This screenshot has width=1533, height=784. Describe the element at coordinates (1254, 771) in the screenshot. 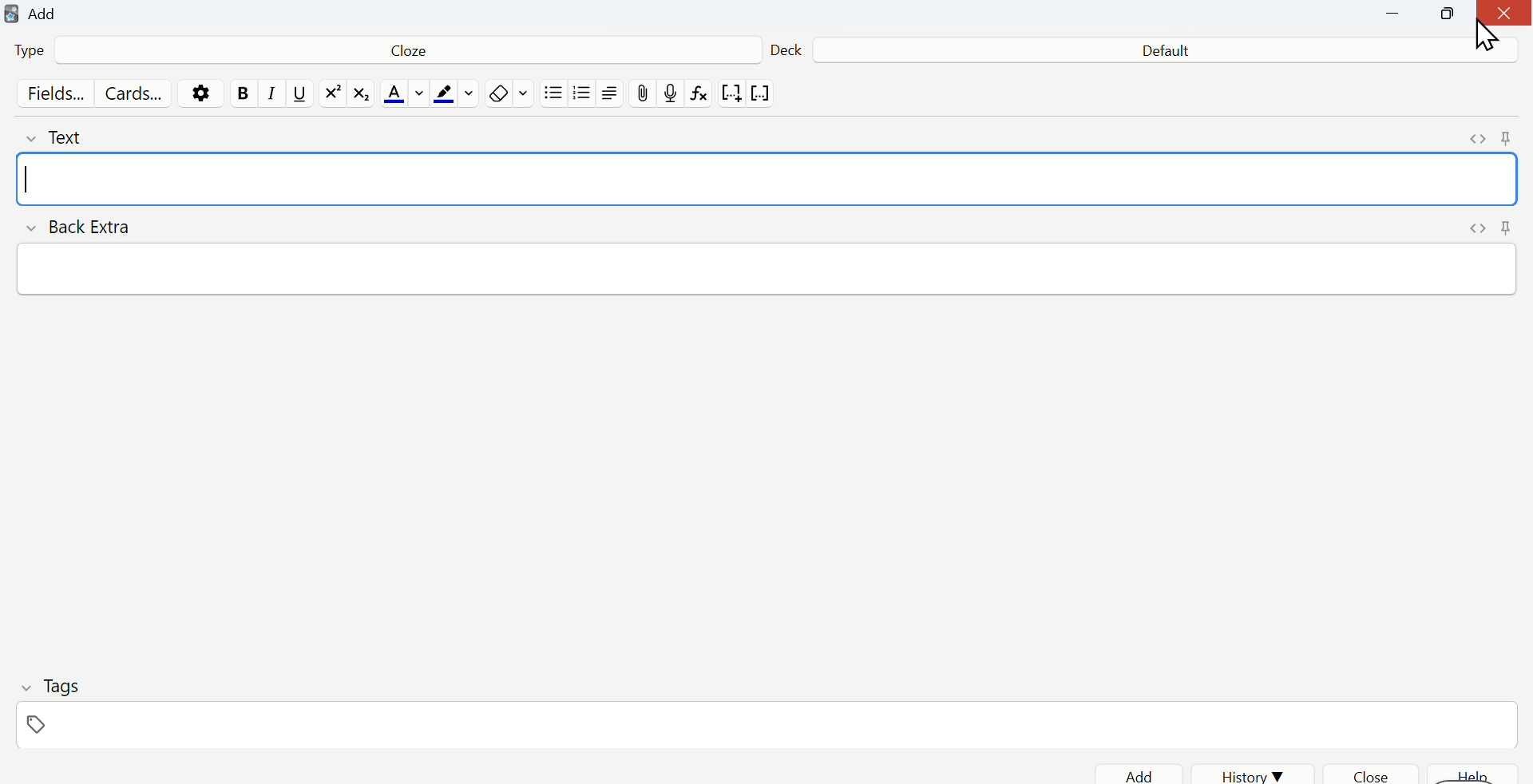

I see `History` at that location.